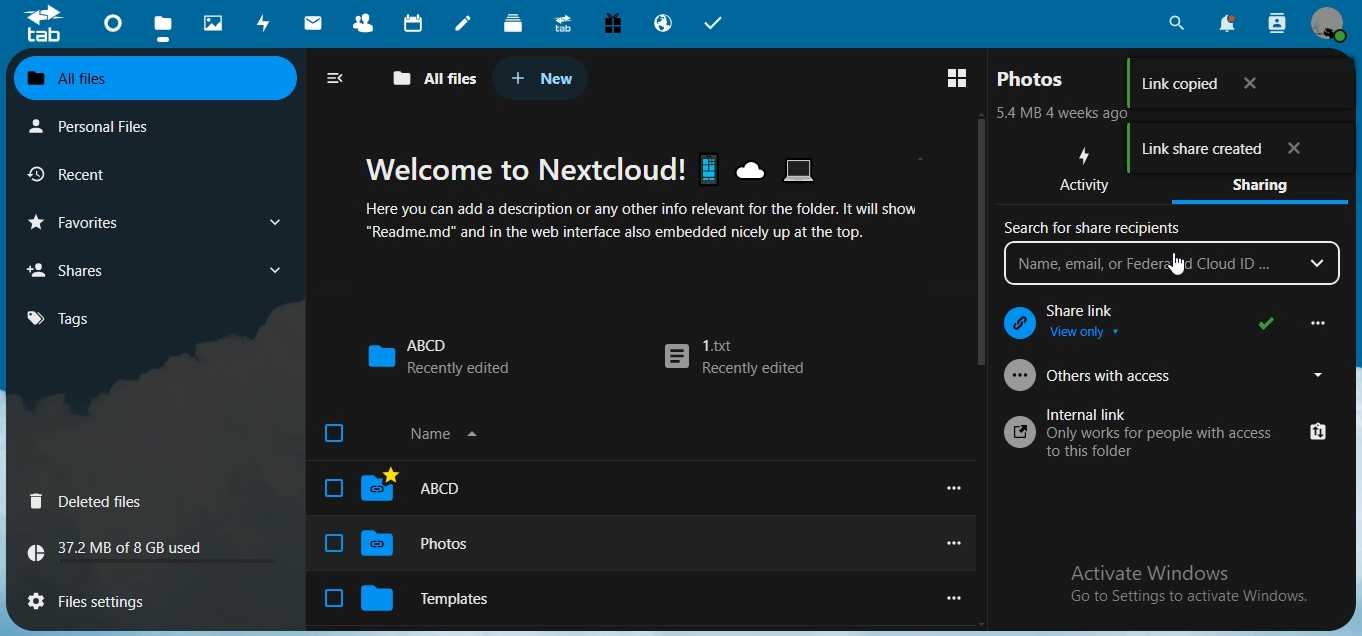 The width and height of the screenshot is (1362, 636). I want to click on tasks, so click(715, 24).